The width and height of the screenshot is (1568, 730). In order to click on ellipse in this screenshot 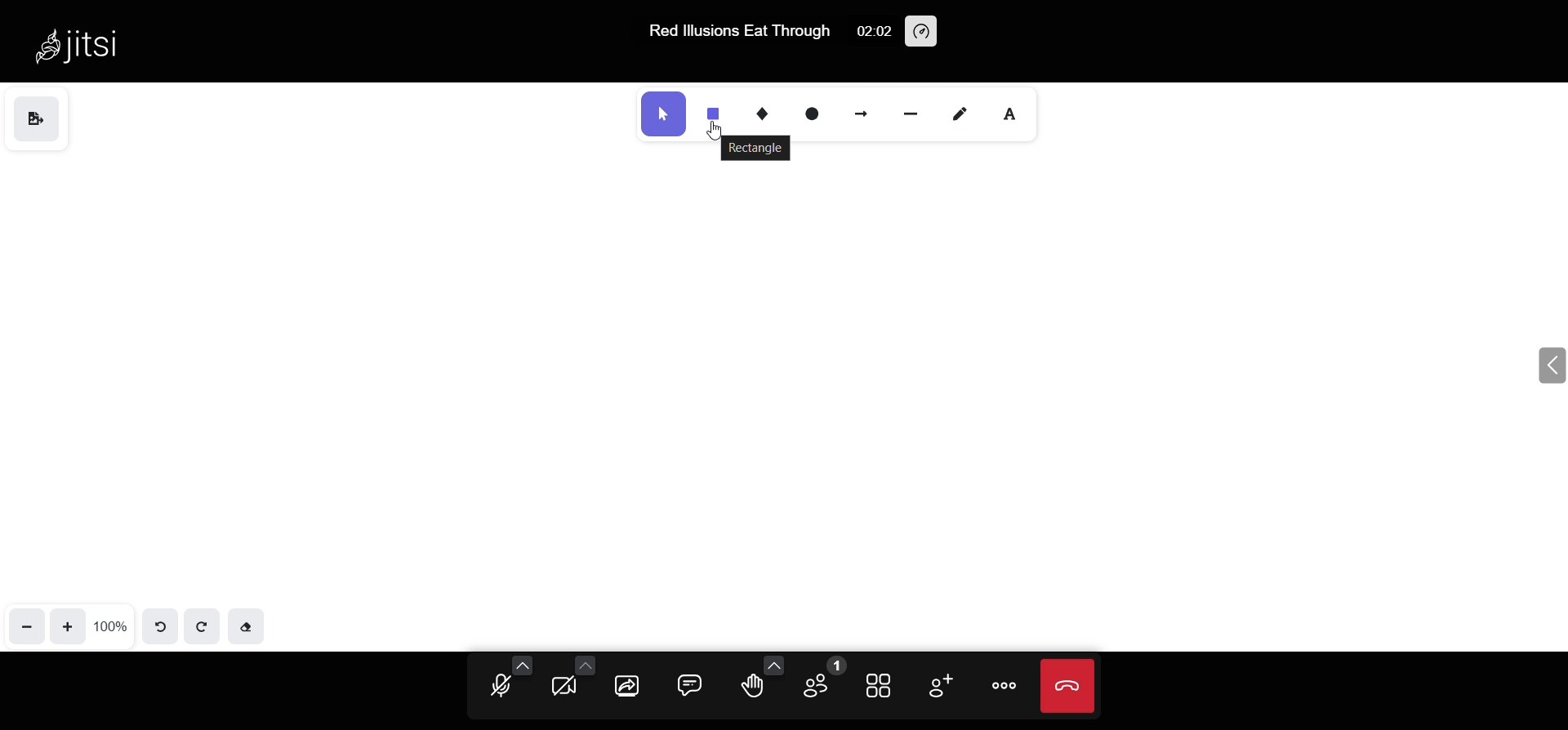, I will do `click(817, 113)`.